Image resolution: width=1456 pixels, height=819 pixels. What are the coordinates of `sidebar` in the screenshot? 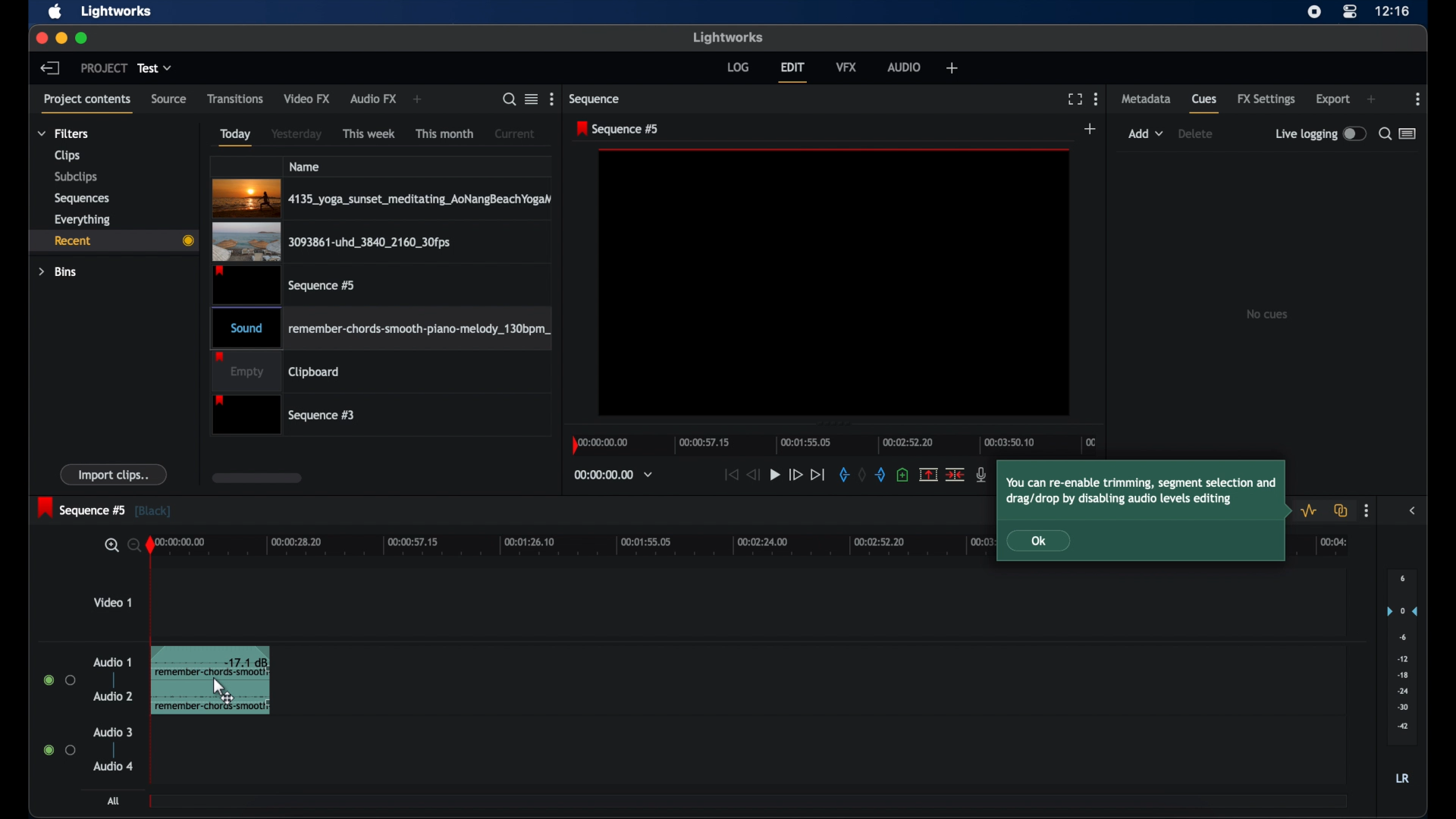 It's located at (1414, 510).